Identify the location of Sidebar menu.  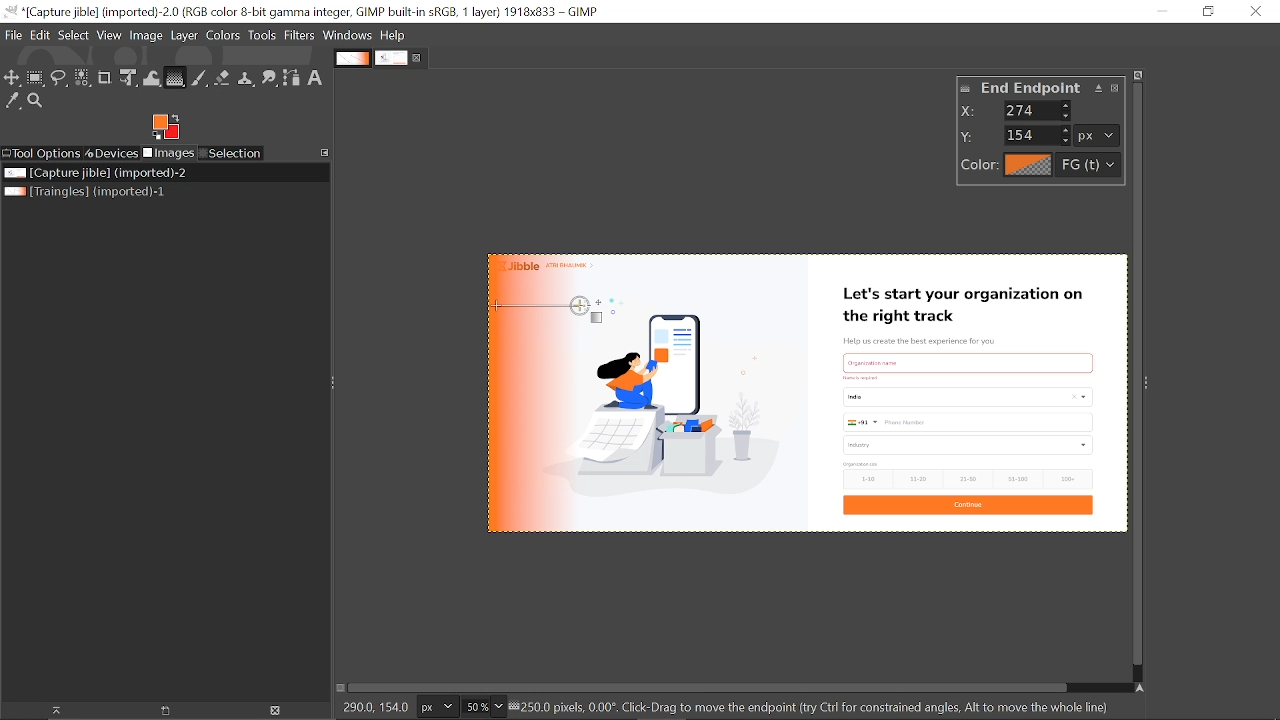
(1152, 379).